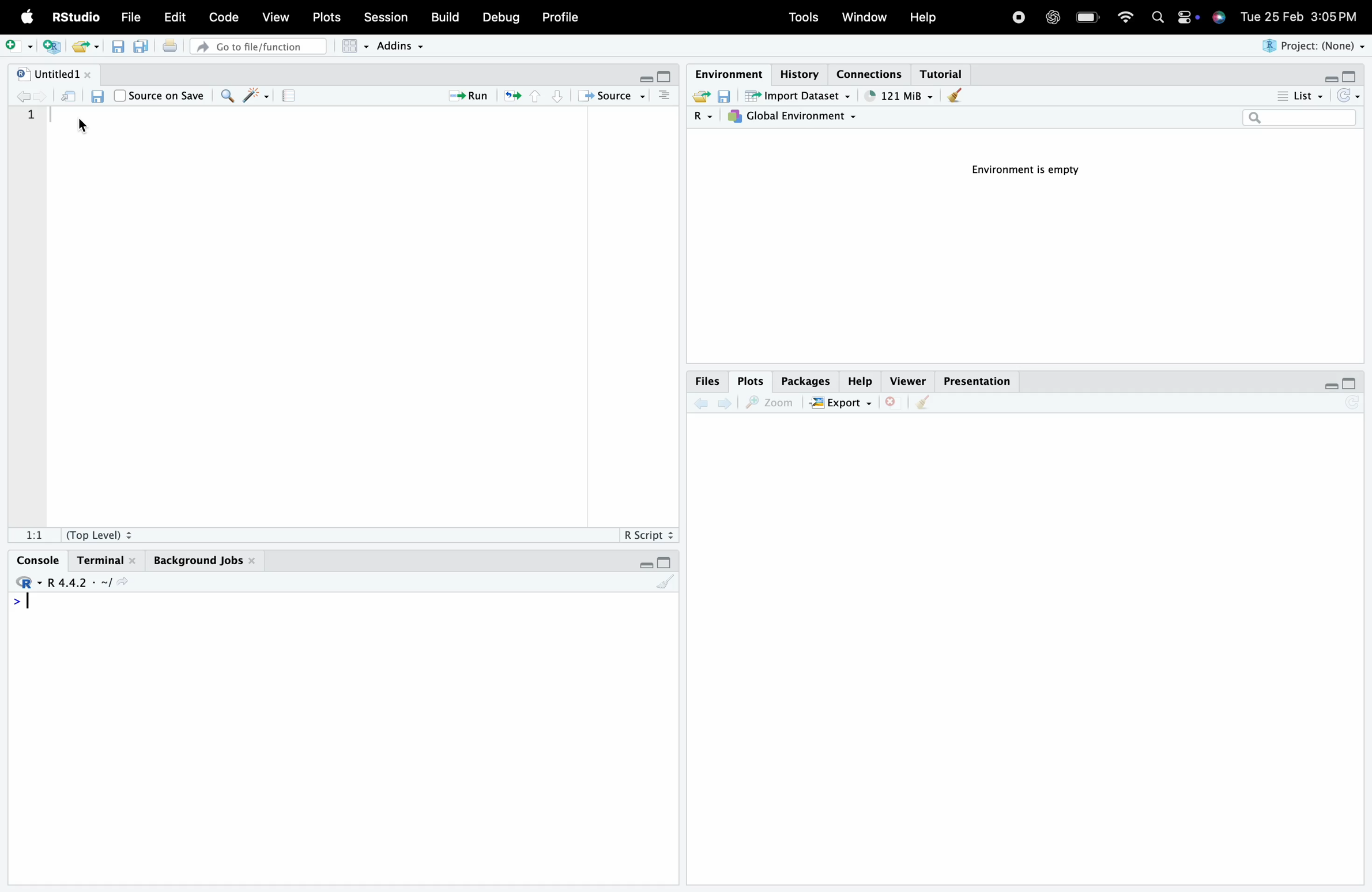 This screenshot has height=892, width=1372. Describe the element at coordinates (31, 119) in the screenshot. I see `1` at that location.